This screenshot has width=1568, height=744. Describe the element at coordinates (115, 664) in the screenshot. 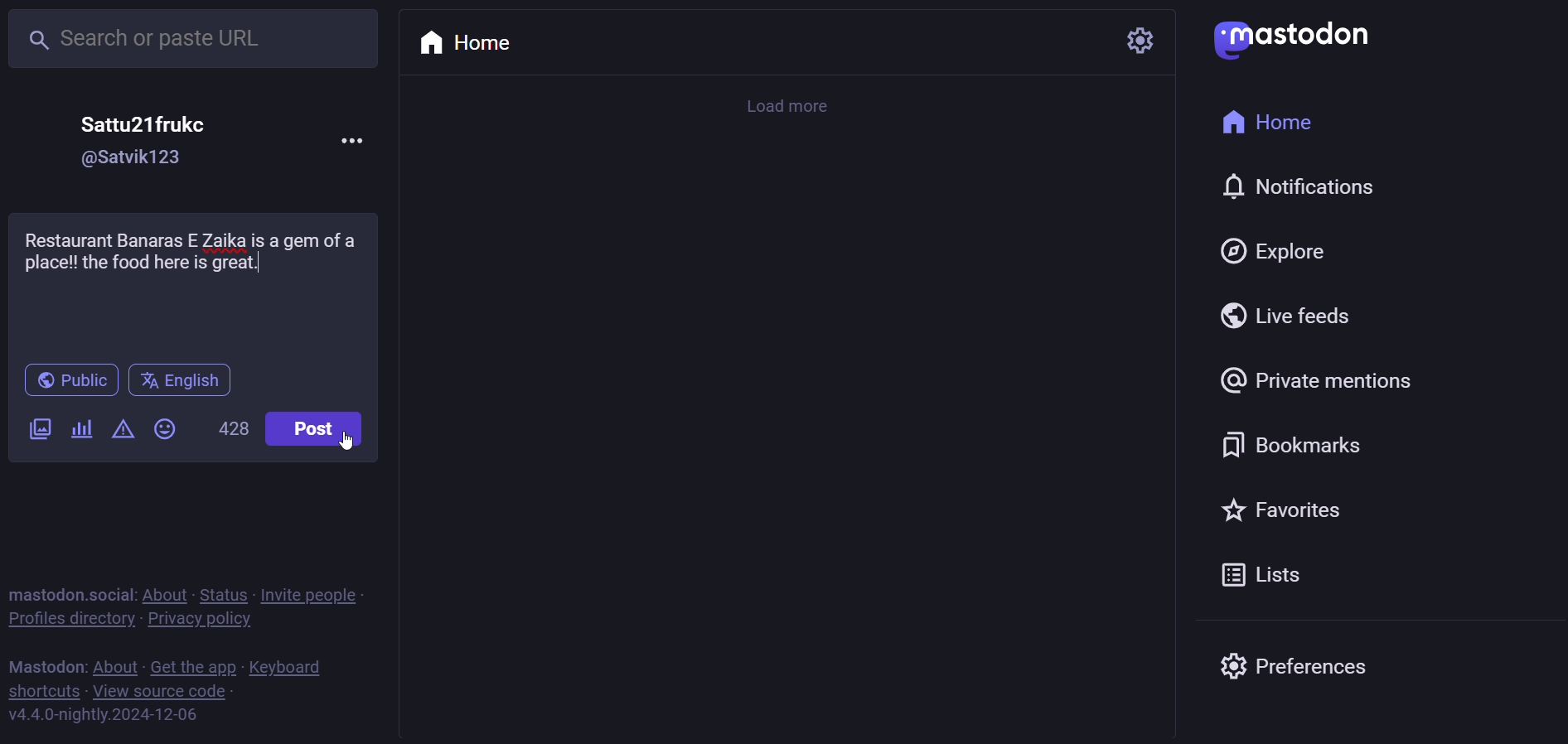

I see `about` at that location.